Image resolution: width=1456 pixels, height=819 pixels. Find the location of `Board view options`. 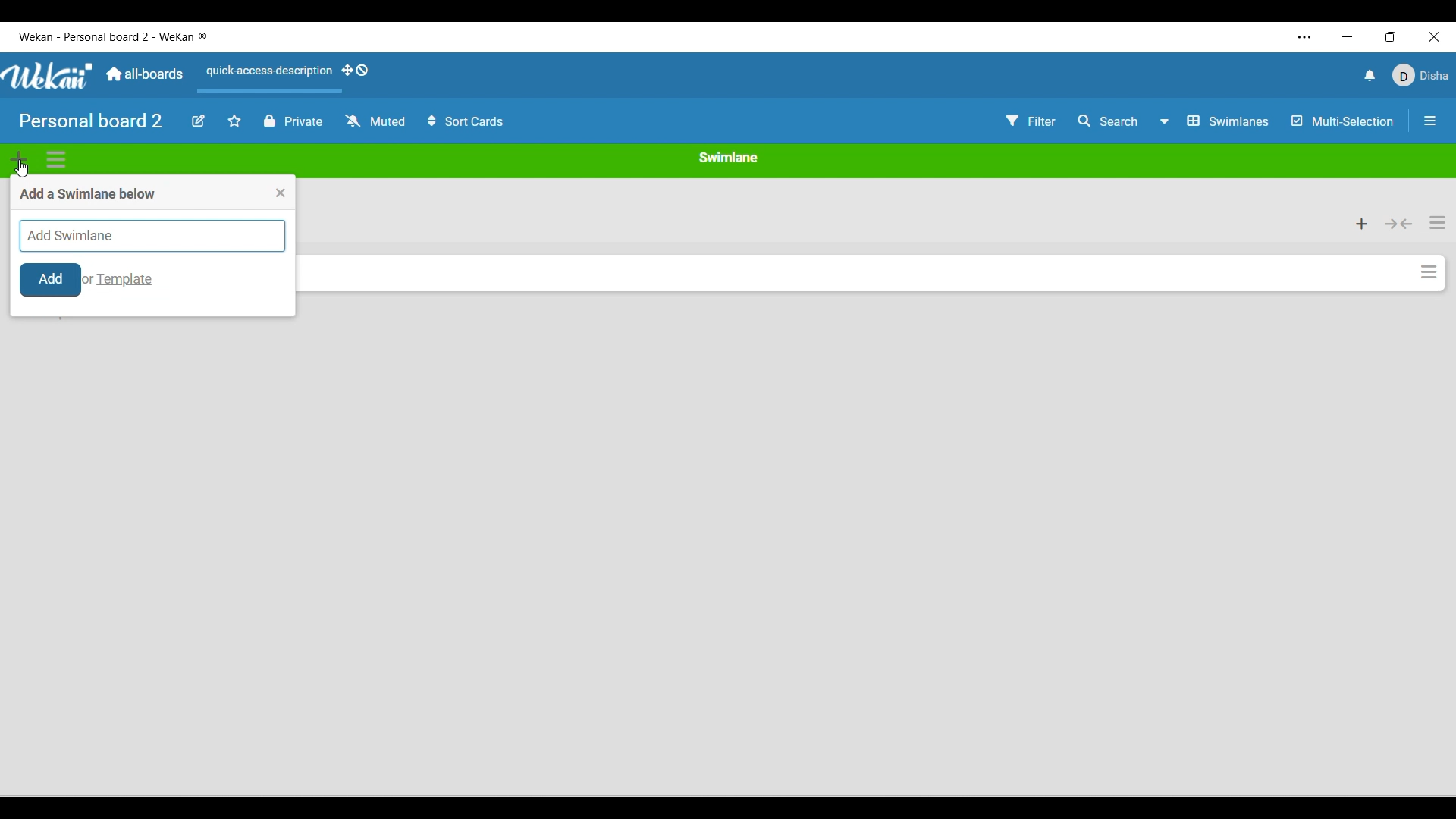

Board view options is located at coordinates (1214, 121).